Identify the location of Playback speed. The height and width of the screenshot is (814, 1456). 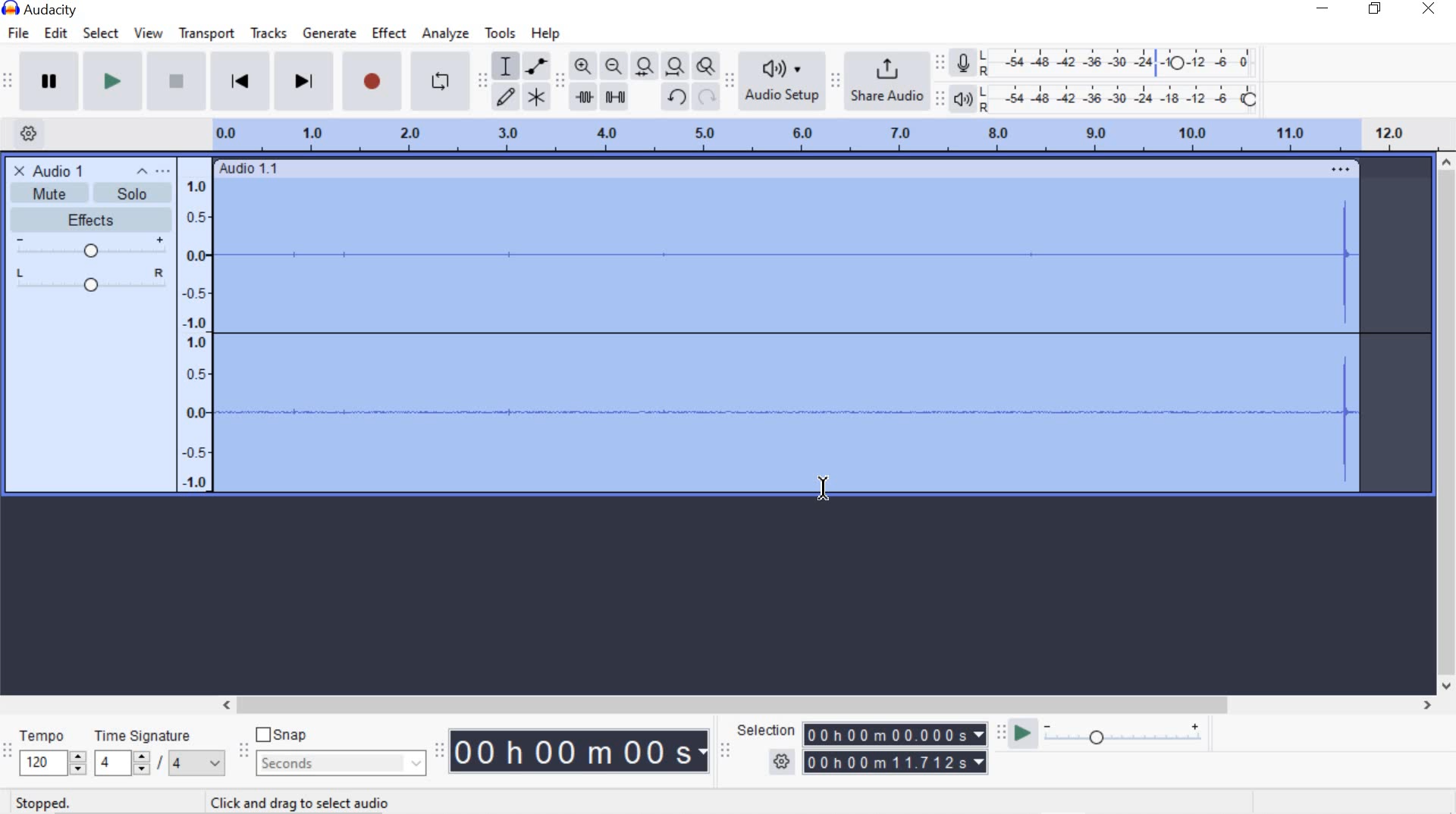
(1128, 735).